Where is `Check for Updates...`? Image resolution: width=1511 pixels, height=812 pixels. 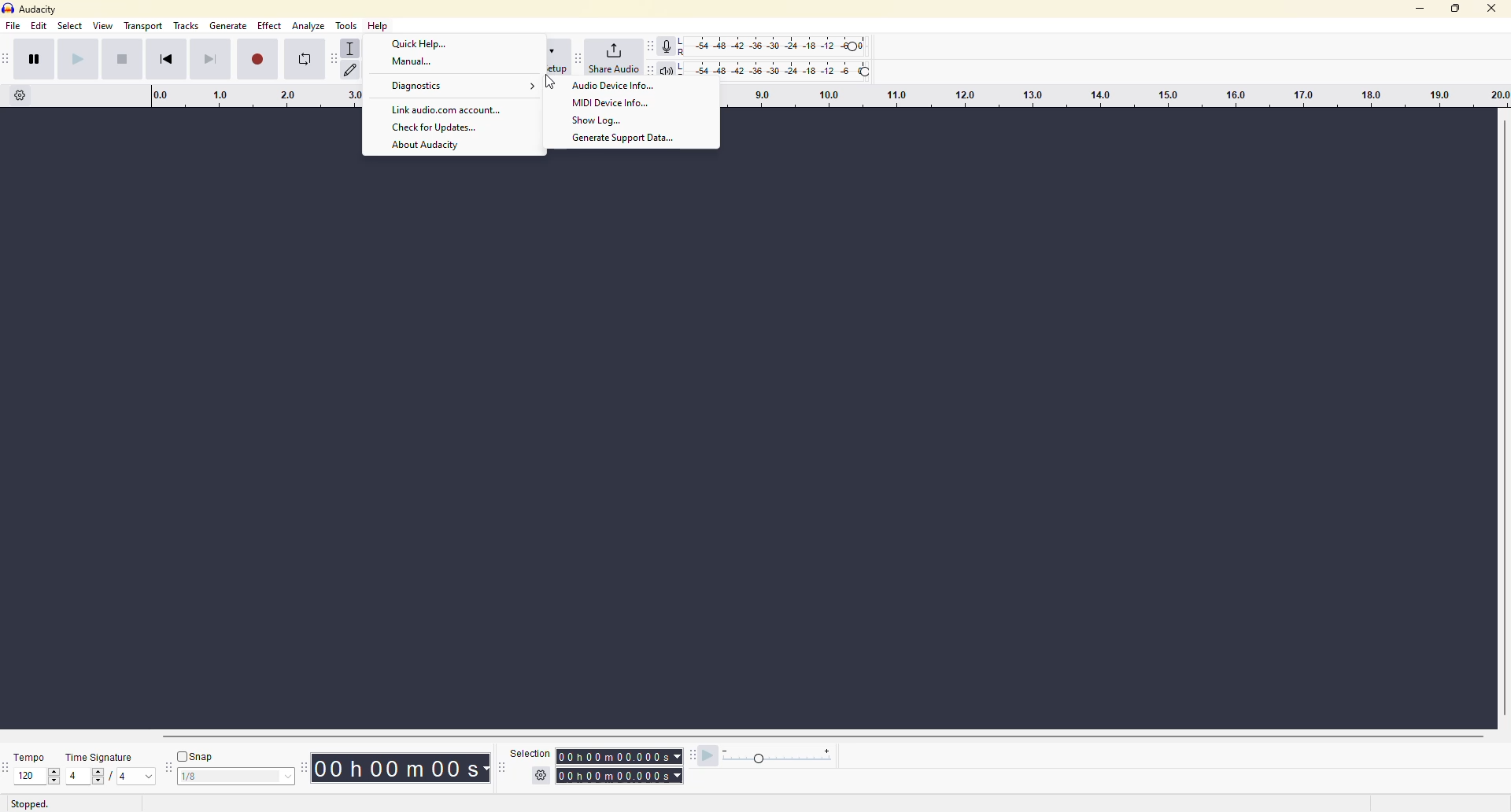
Check for Updates... is located at coordinates (434, 128).